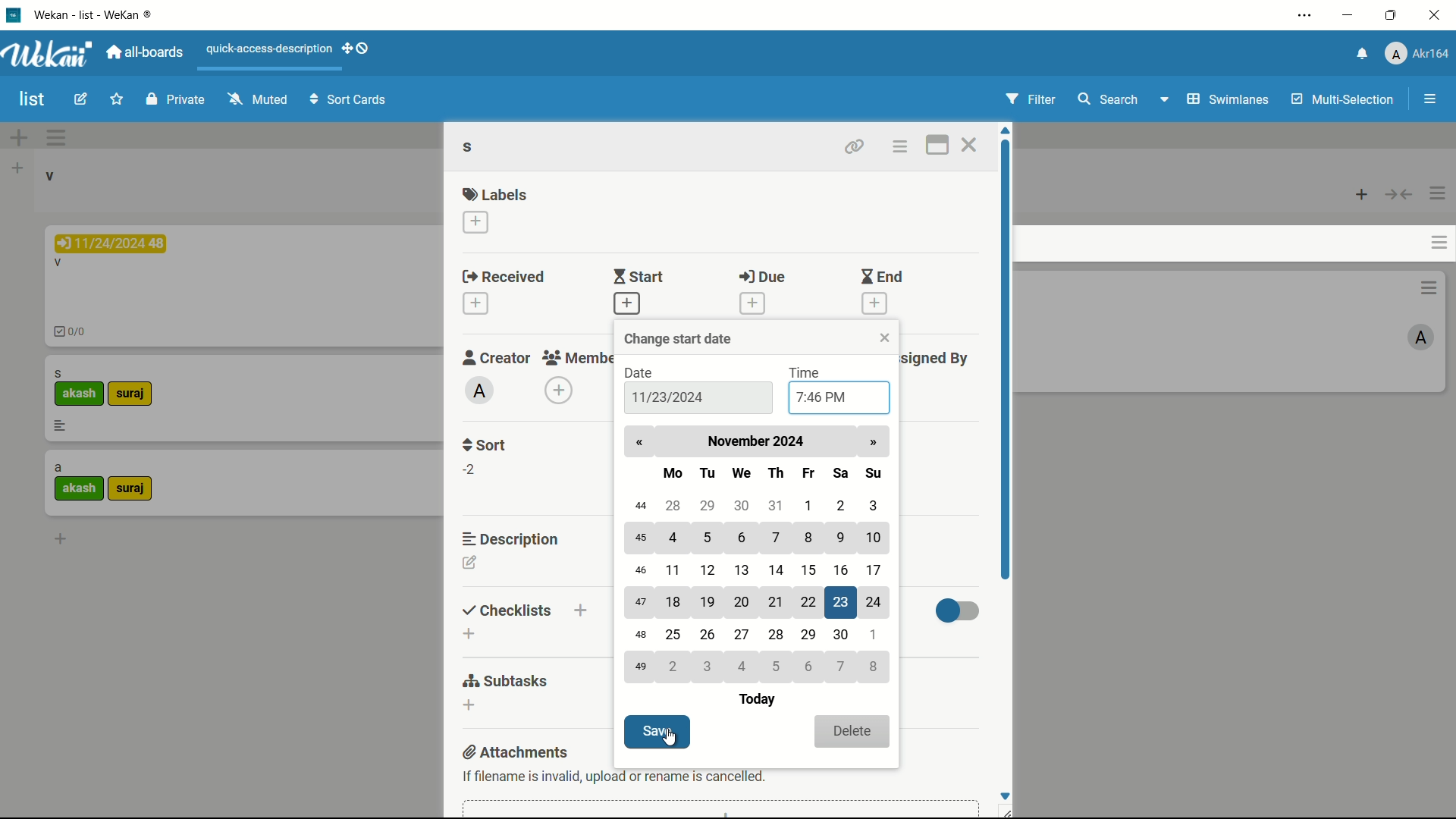  I want to click on cursor, so click(668, 739).